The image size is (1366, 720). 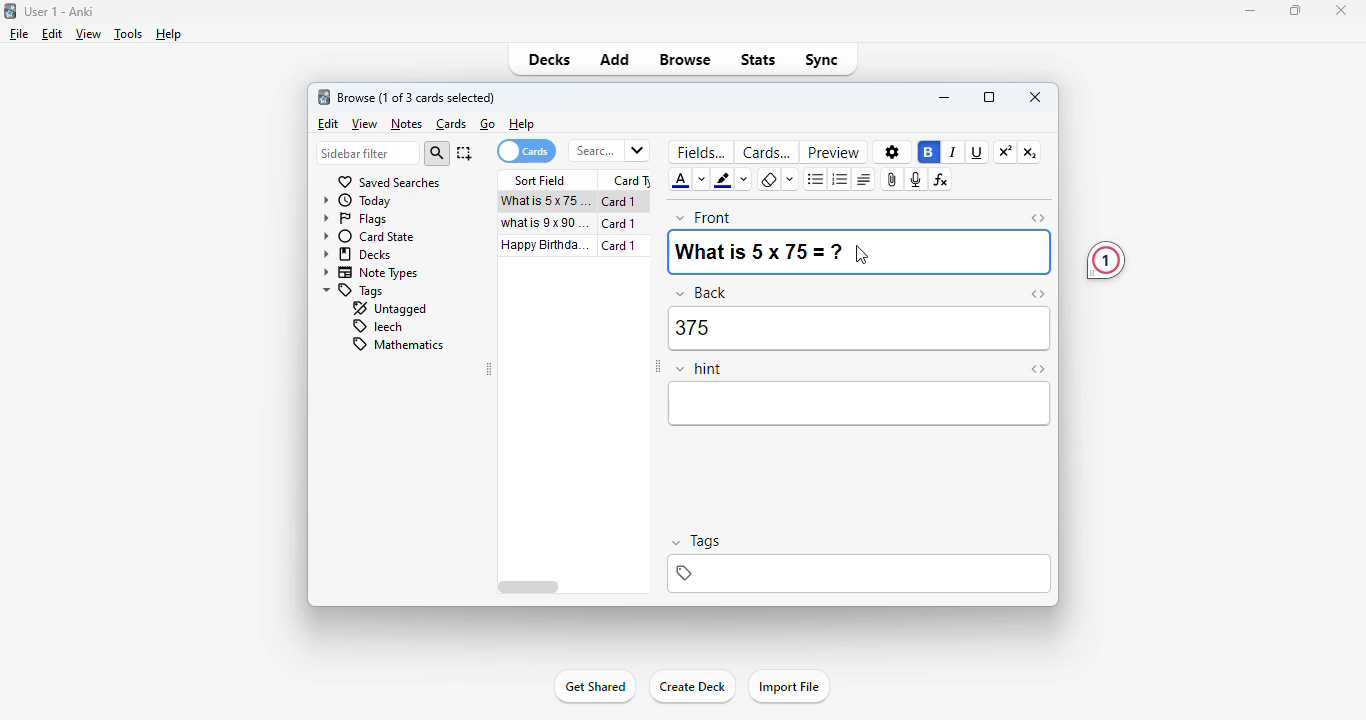 I want to click on cards , so click(x=766, y=153).